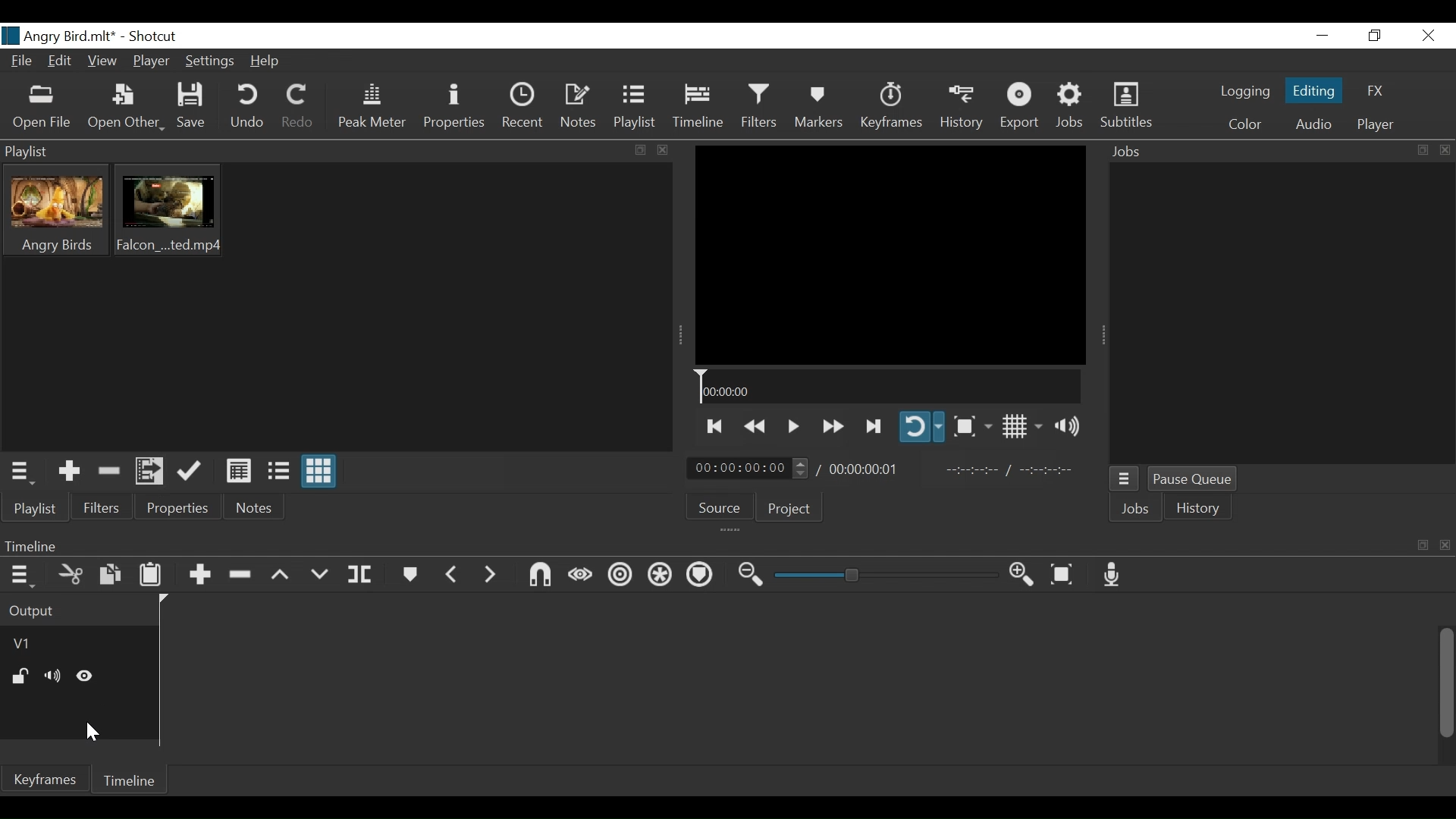 The width and height of the screenshot is (1456, 819). I want to click on Jobs, so click(1068, 107).